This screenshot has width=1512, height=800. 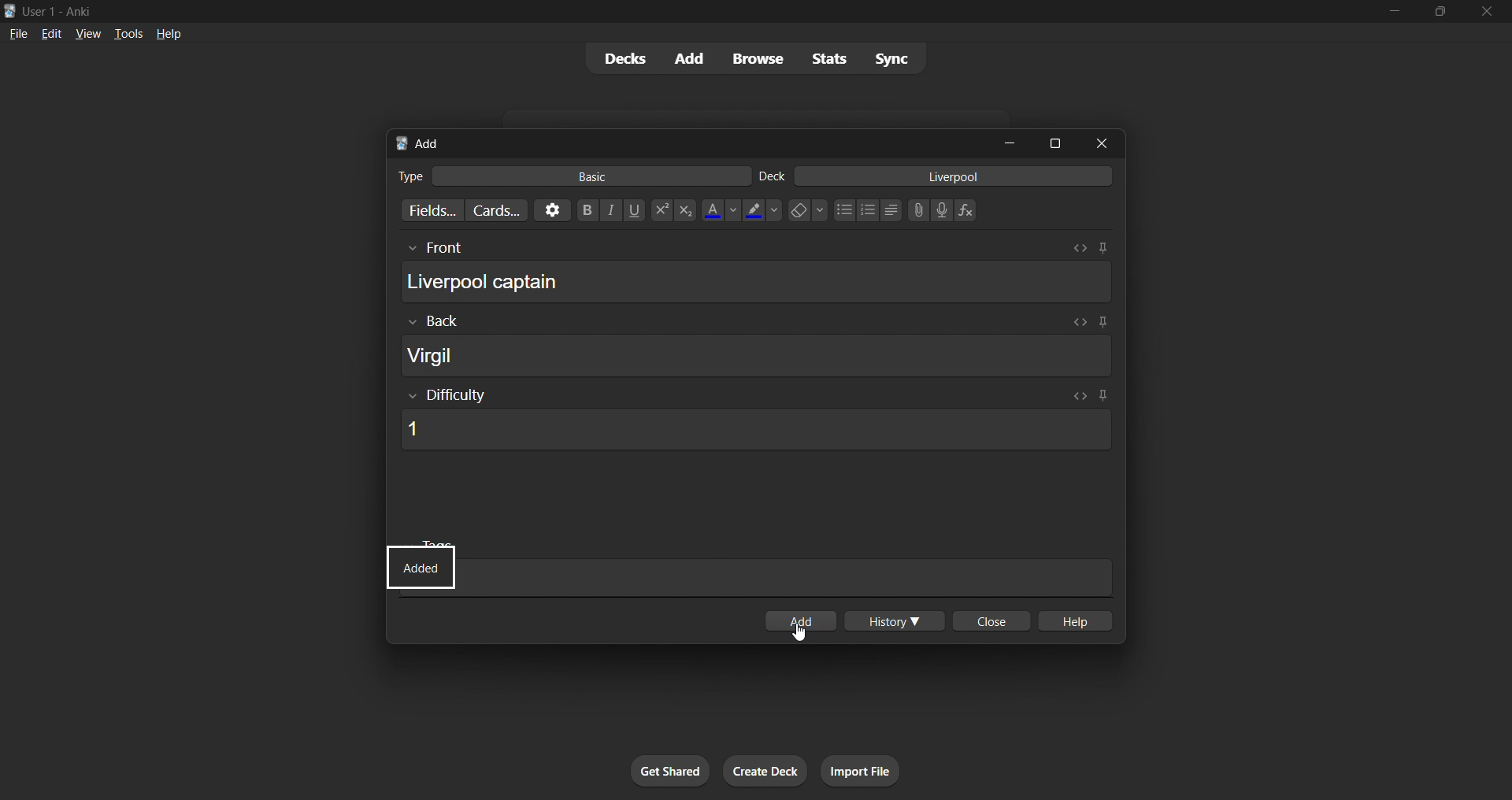 I want to click on card deck input, so click(x=954, y=176).